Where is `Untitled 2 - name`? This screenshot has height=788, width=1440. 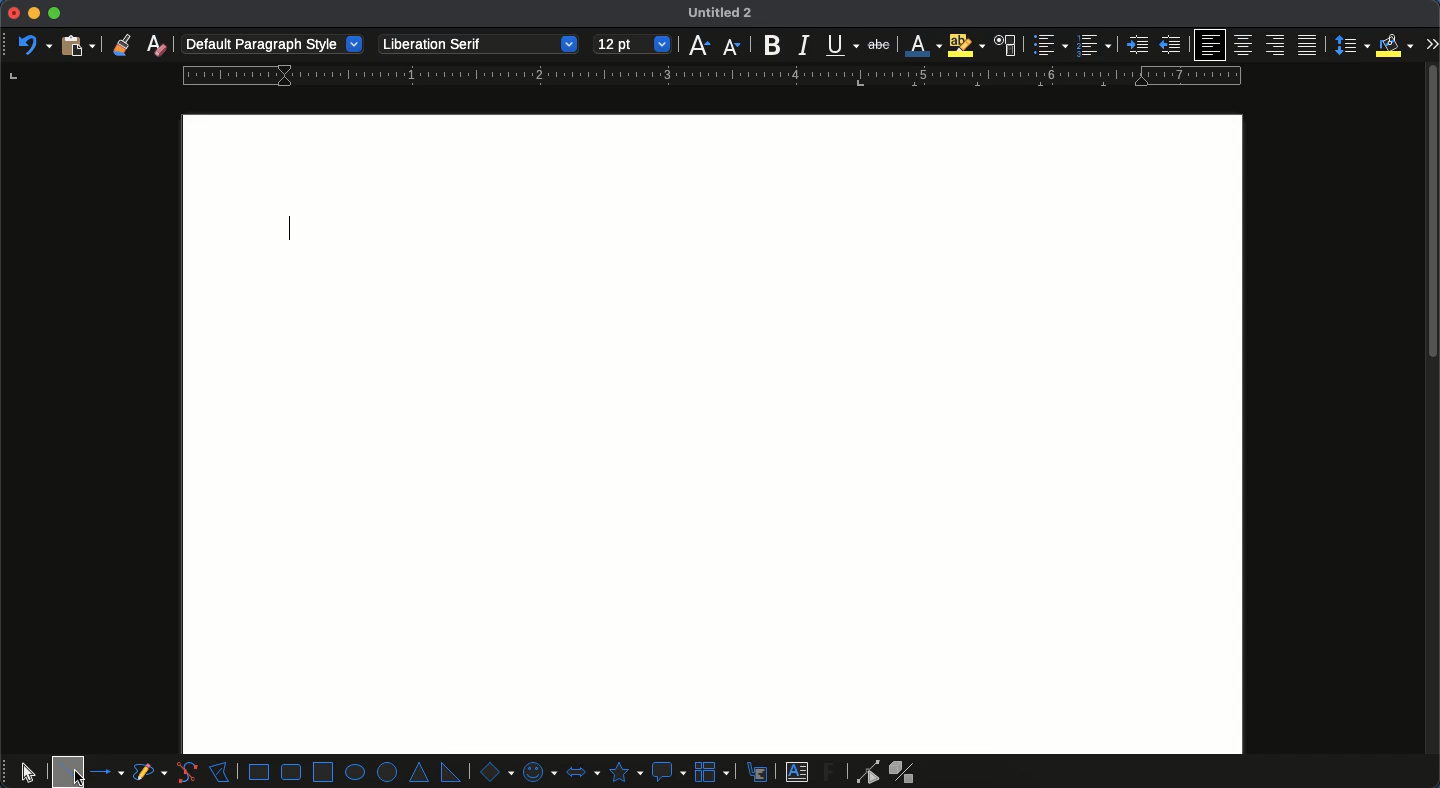 Untitled 2 - name is located at coordinates (724, 14).